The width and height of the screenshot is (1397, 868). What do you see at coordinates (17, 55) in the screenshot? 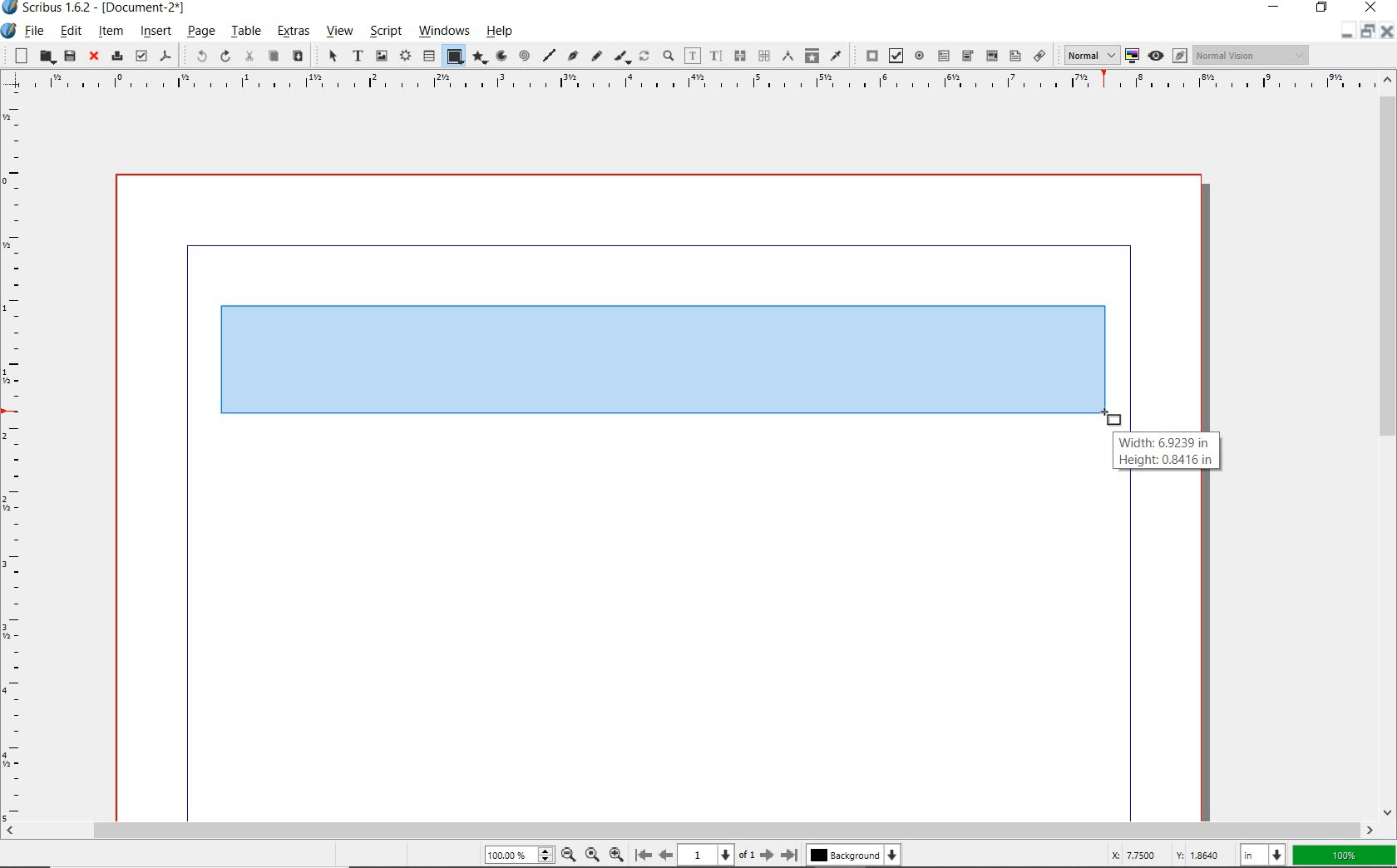
I see `new` at bounding box center [17, 55].